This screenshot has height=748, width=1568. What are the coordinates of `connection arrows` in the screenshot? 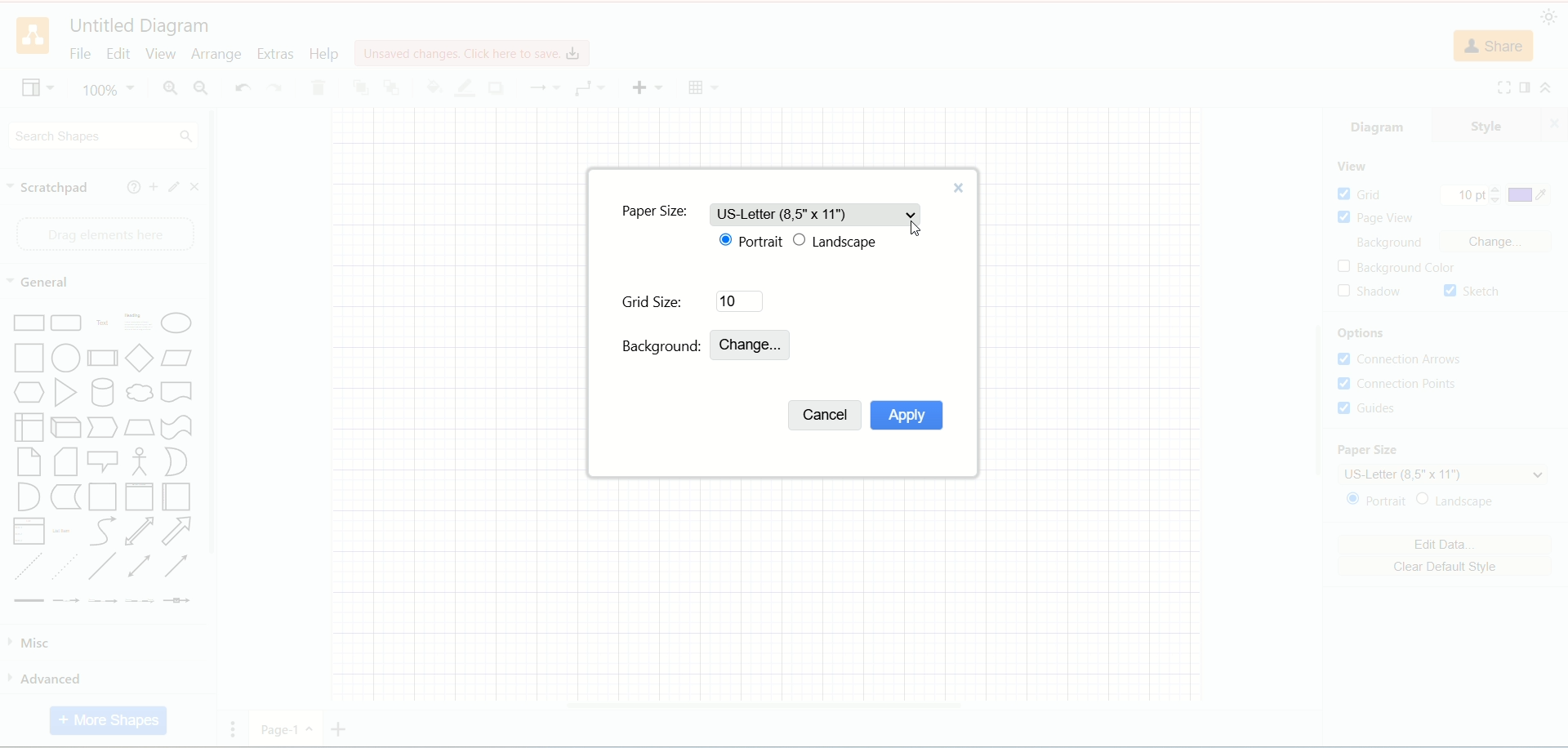 It's located at (1405, 360).